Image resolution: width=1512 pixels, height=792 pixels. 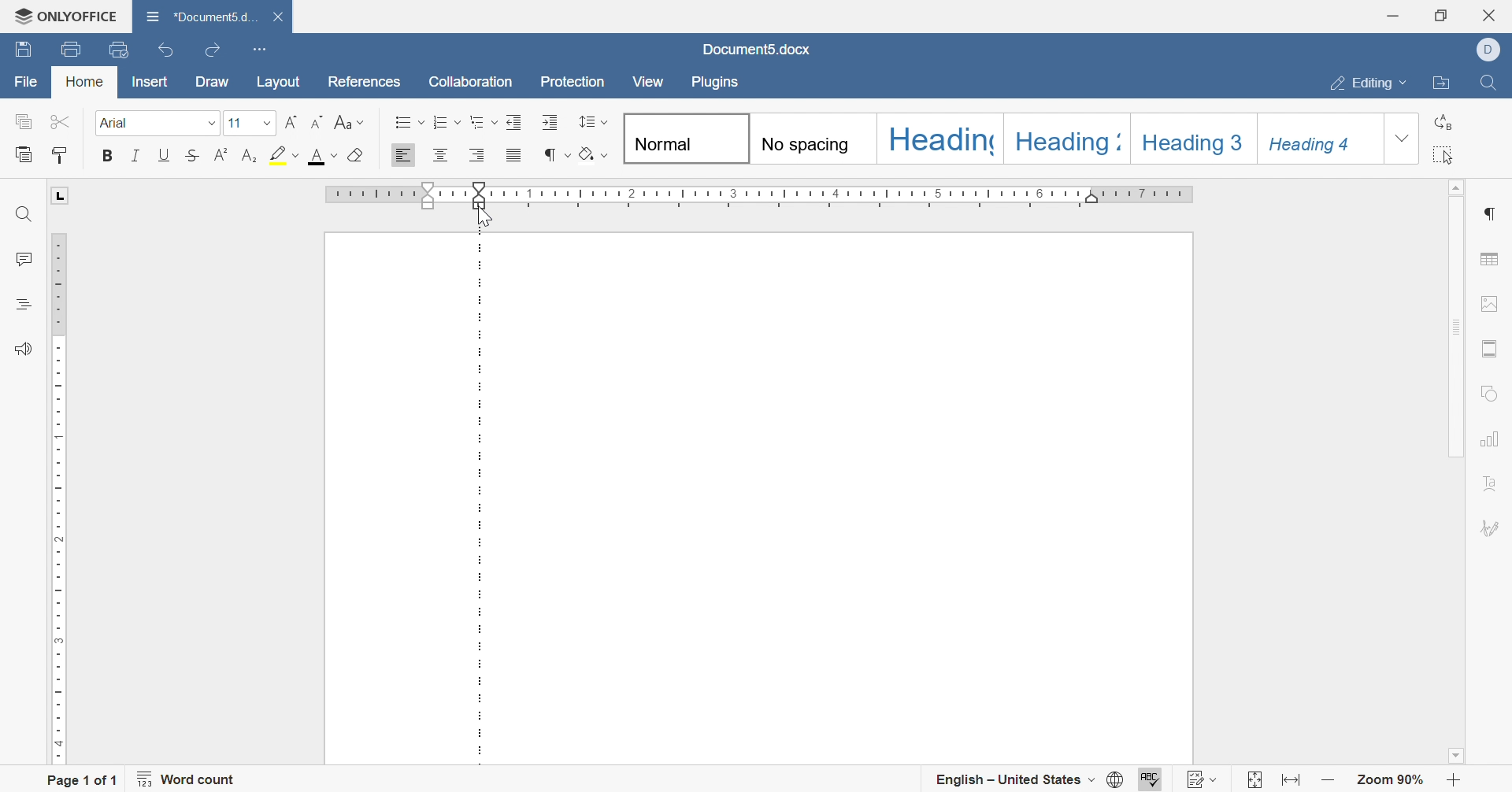 I want to click on spell checking, so click(x=1155, y=779).